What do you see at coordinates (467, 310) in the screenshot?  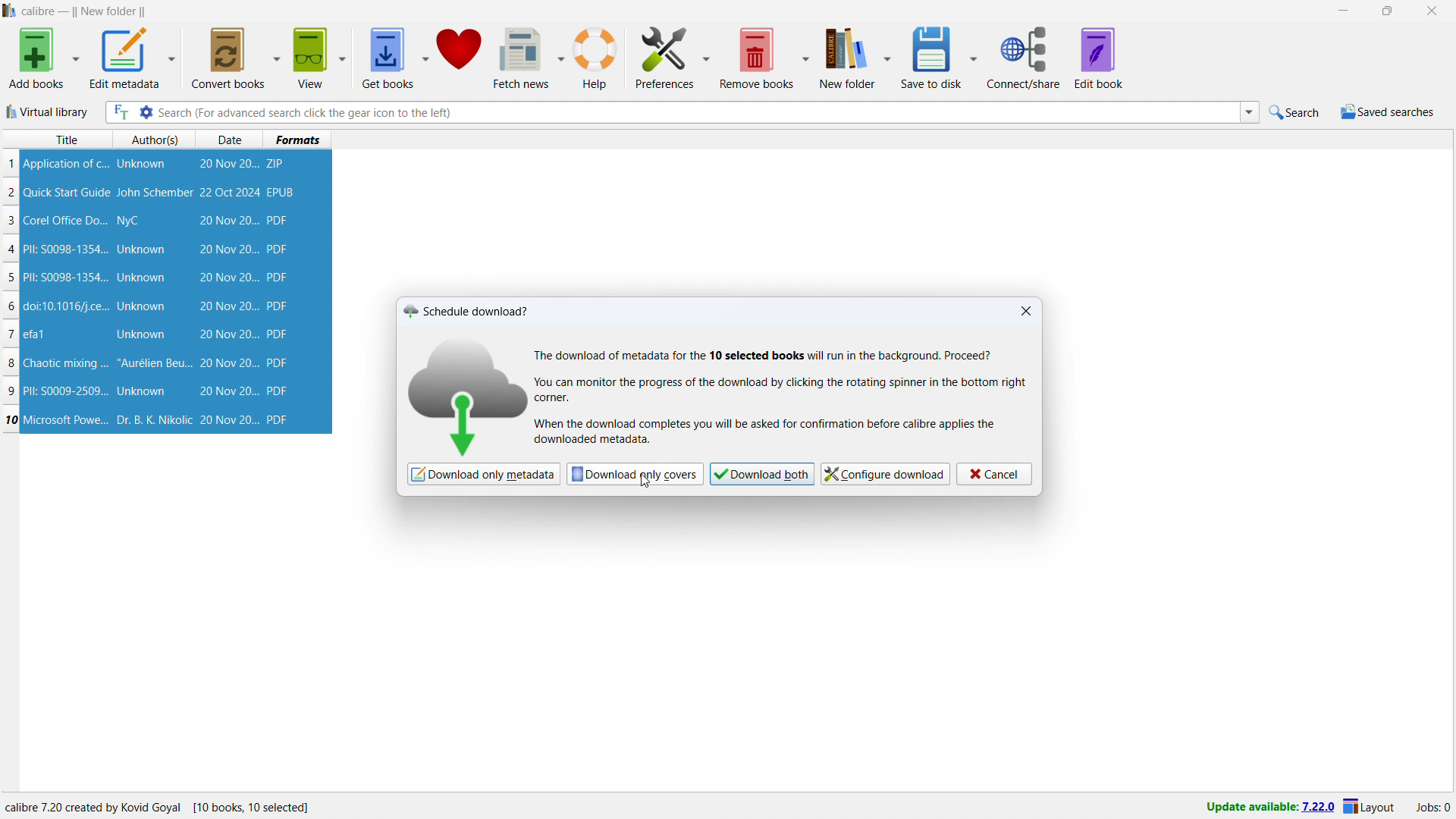 I see `schedule download?` at bounding box center [467, 310].